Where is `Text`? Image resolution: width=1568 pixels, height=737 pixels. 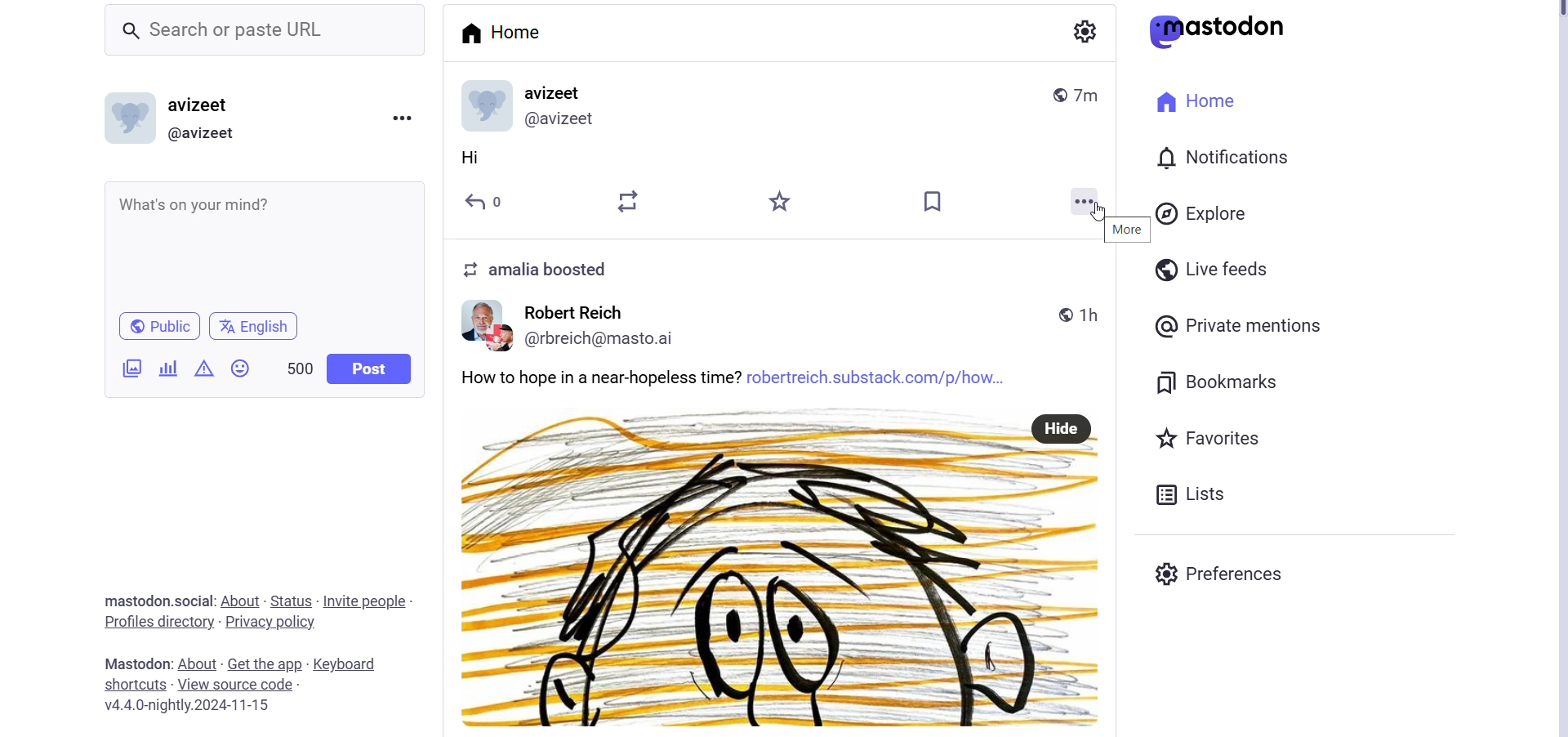
Text is located at coordinates (134, 663).